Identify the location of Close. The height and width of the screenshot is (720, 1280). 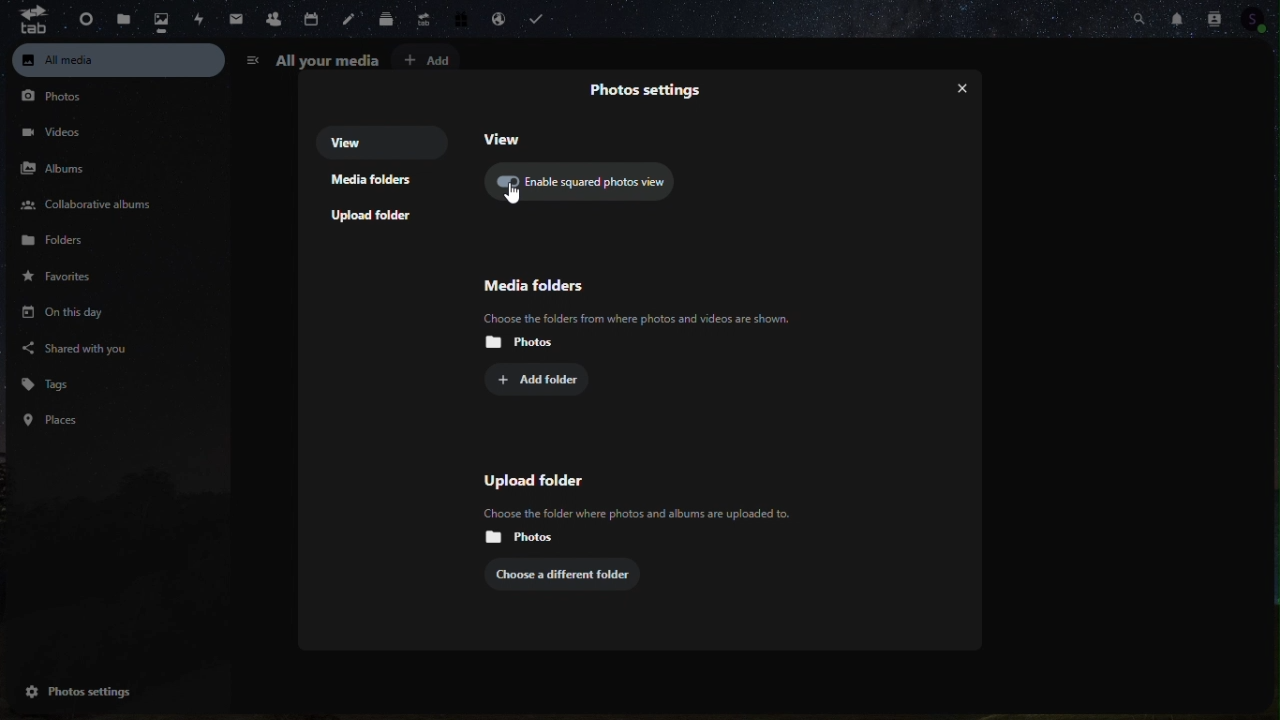
(956, 81).